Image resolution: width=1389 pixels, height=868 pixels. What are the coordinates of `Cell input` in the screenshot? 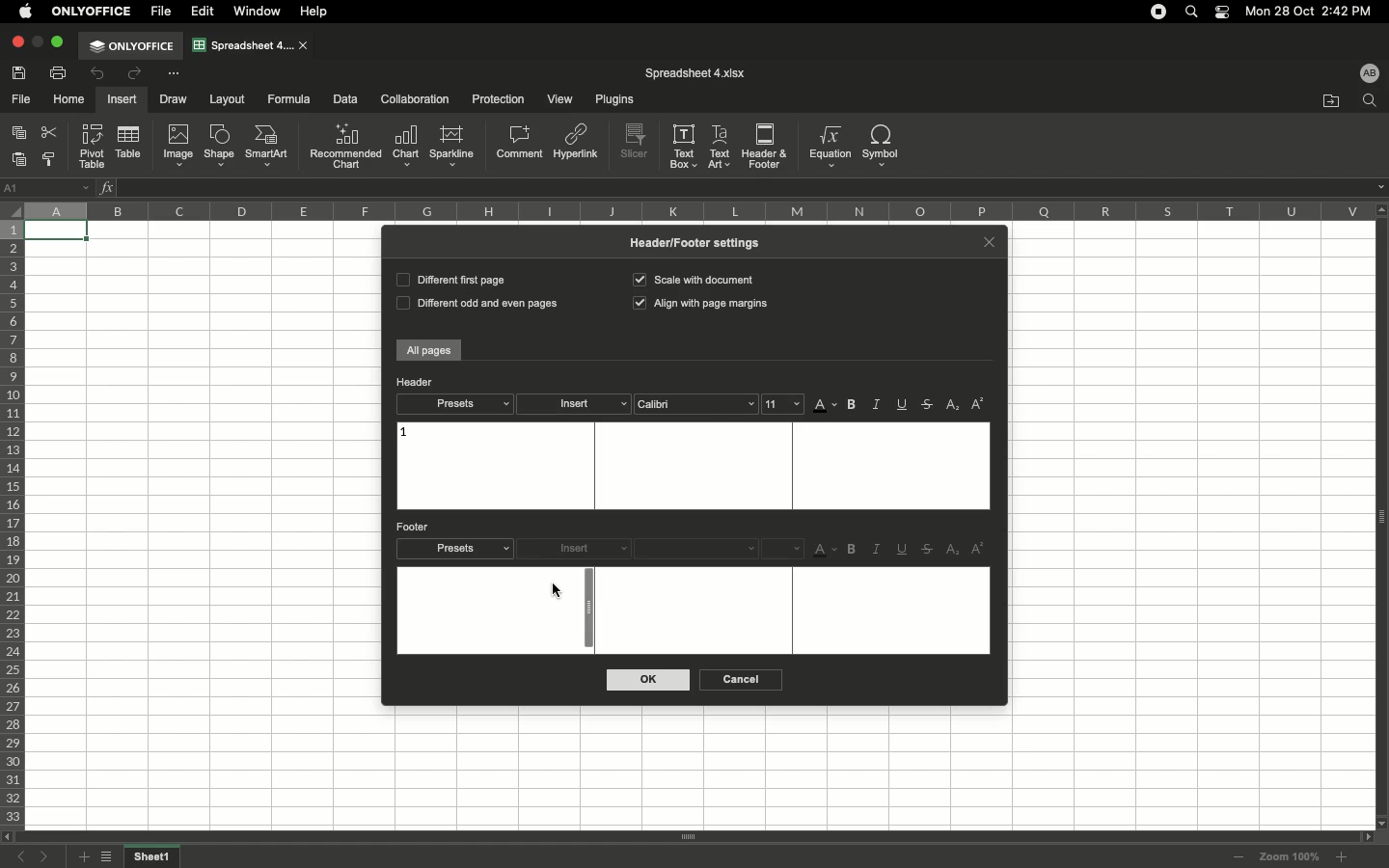 It's located at (743, 188).